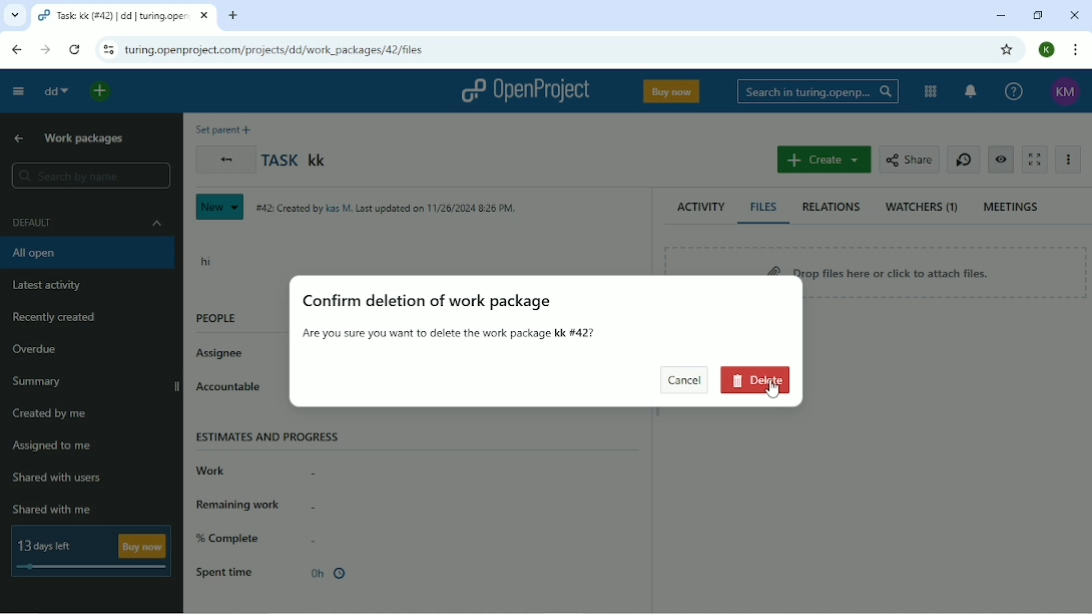 This screenshot has height=614, width=1092. Describe the element at coordinates (671, 91) in the screenshot. I see `Buy now` at that location.